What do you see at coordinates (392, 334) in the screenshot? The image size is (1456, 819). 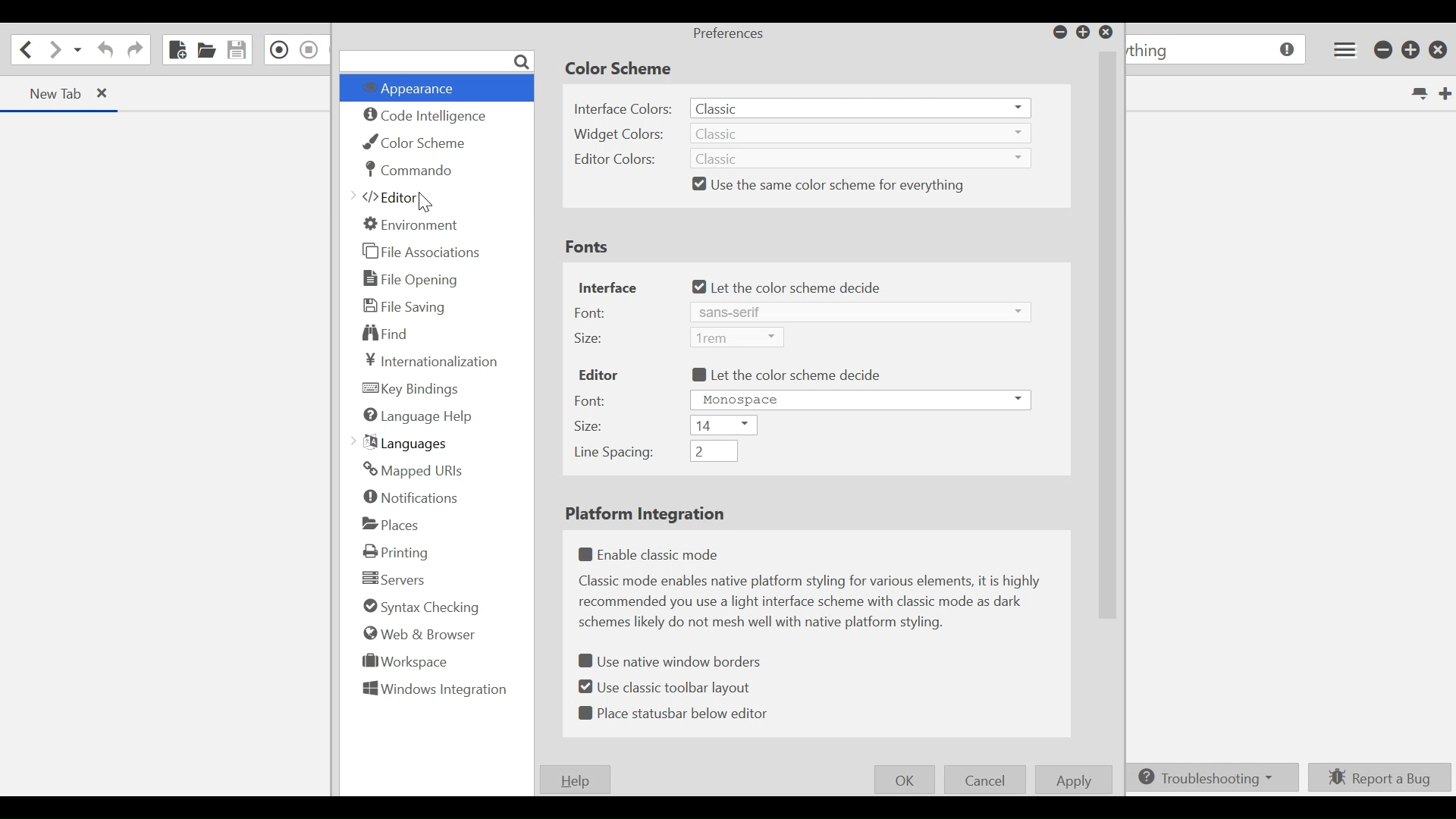 I see `Find` at bounding box center [392, 334].